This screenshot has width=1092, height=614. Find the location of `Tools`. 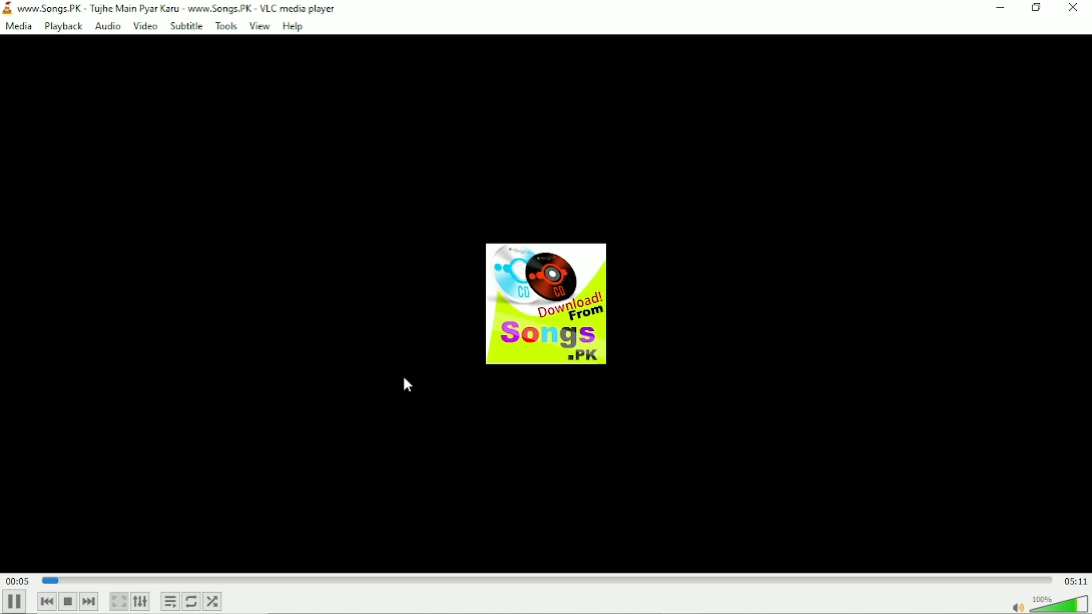

Tools is located at coordinates (227, 26).